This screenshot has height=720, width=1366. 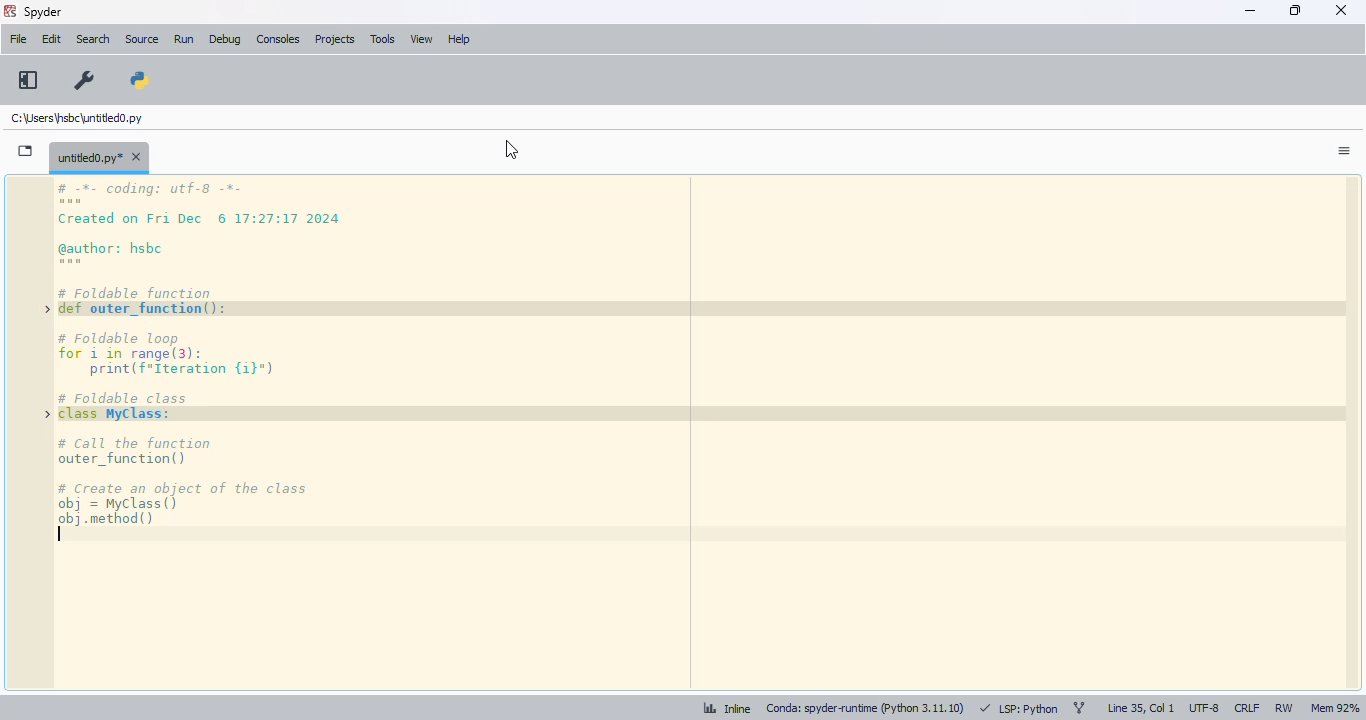 What do you see at coordinates (336, 40) in the screenshot?
I see `projects` at bounding box center [336, 40].